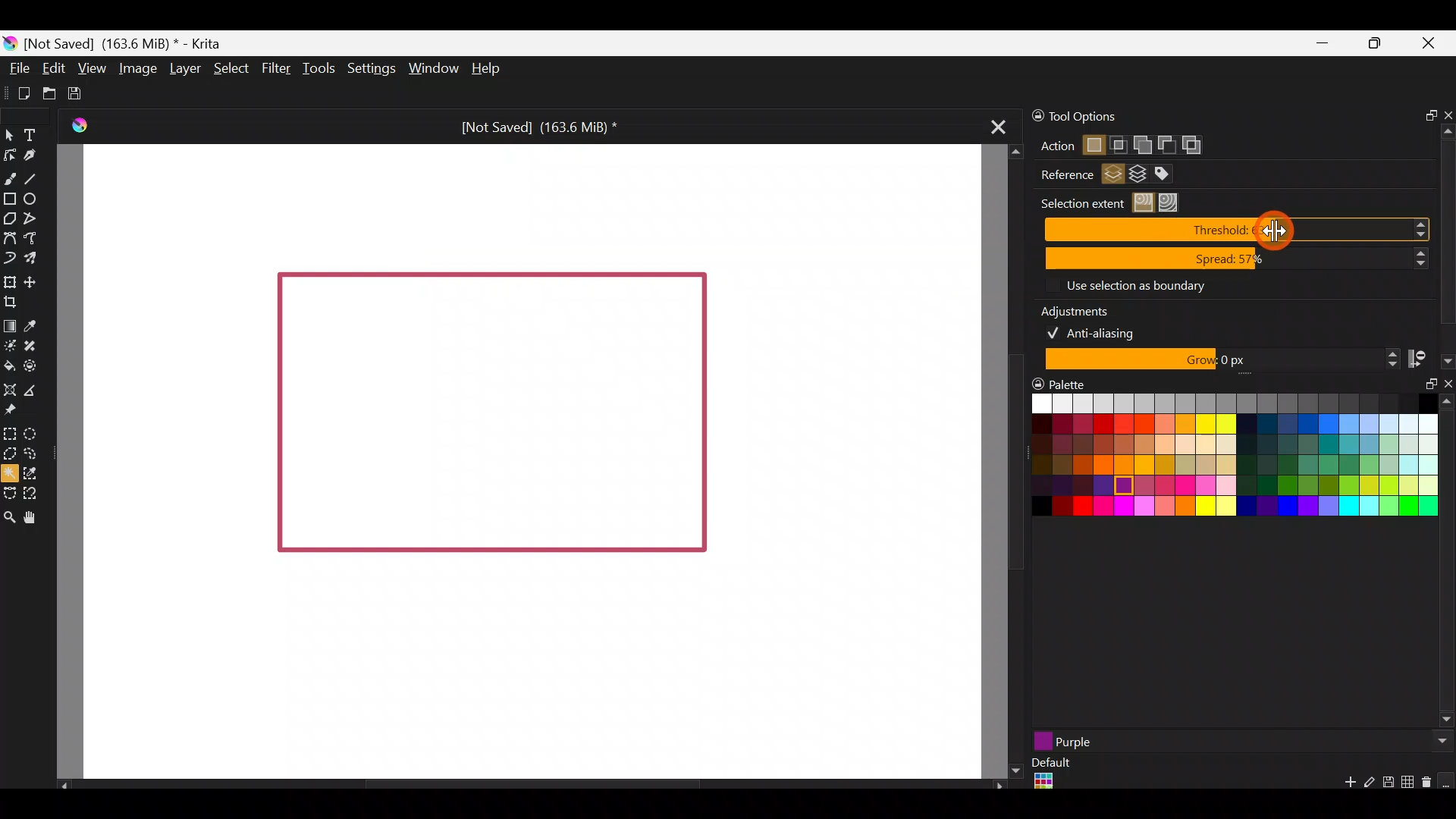 This screenshot has height=819, width=1456. Describe the element at coordinates (1429, 787) in the screenshot. I see `Remove swatch/group` at that location.